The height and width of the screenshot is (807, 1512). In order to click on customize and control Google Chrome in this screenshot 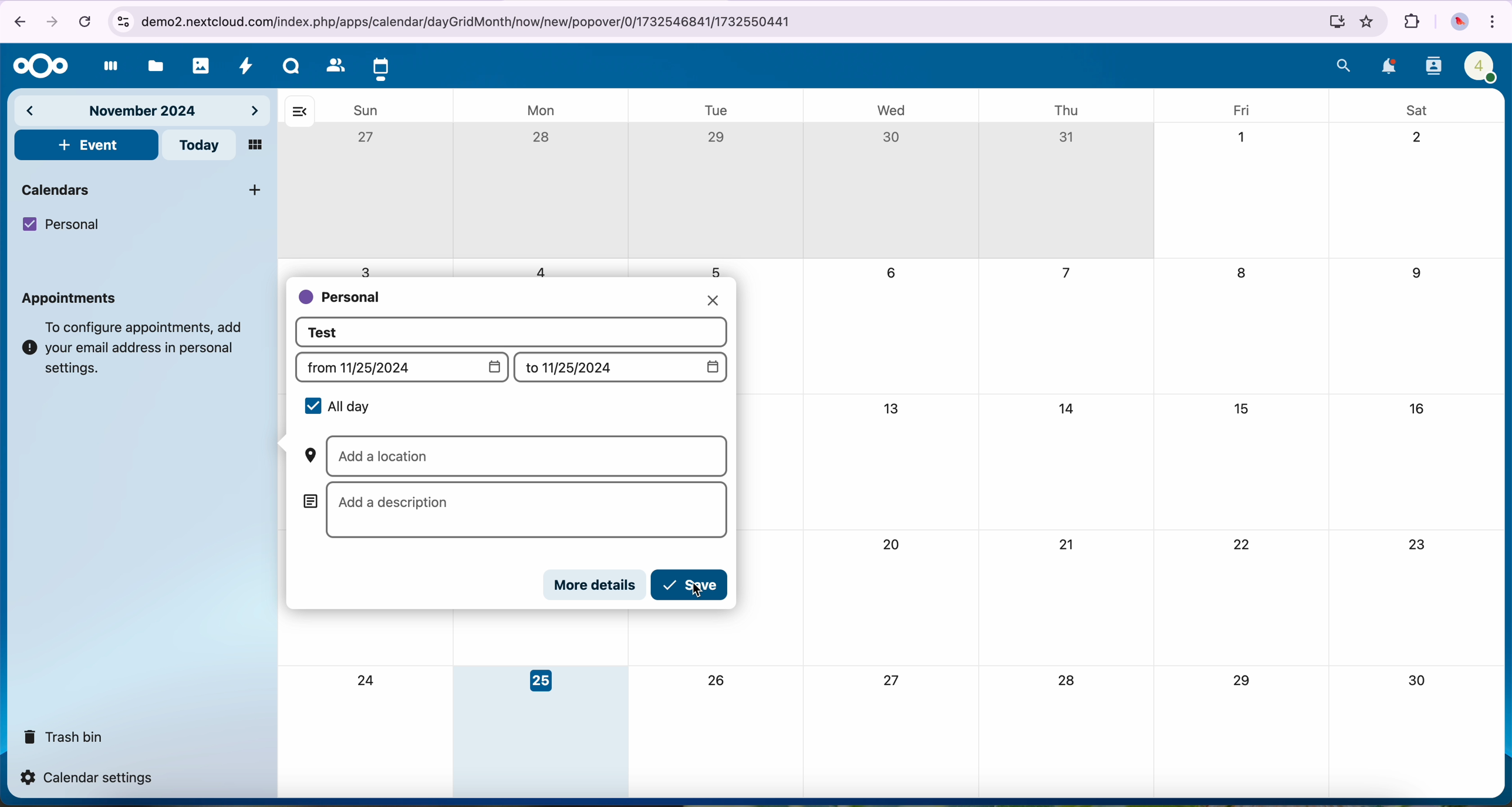, I will do `click(1494, 21)`.